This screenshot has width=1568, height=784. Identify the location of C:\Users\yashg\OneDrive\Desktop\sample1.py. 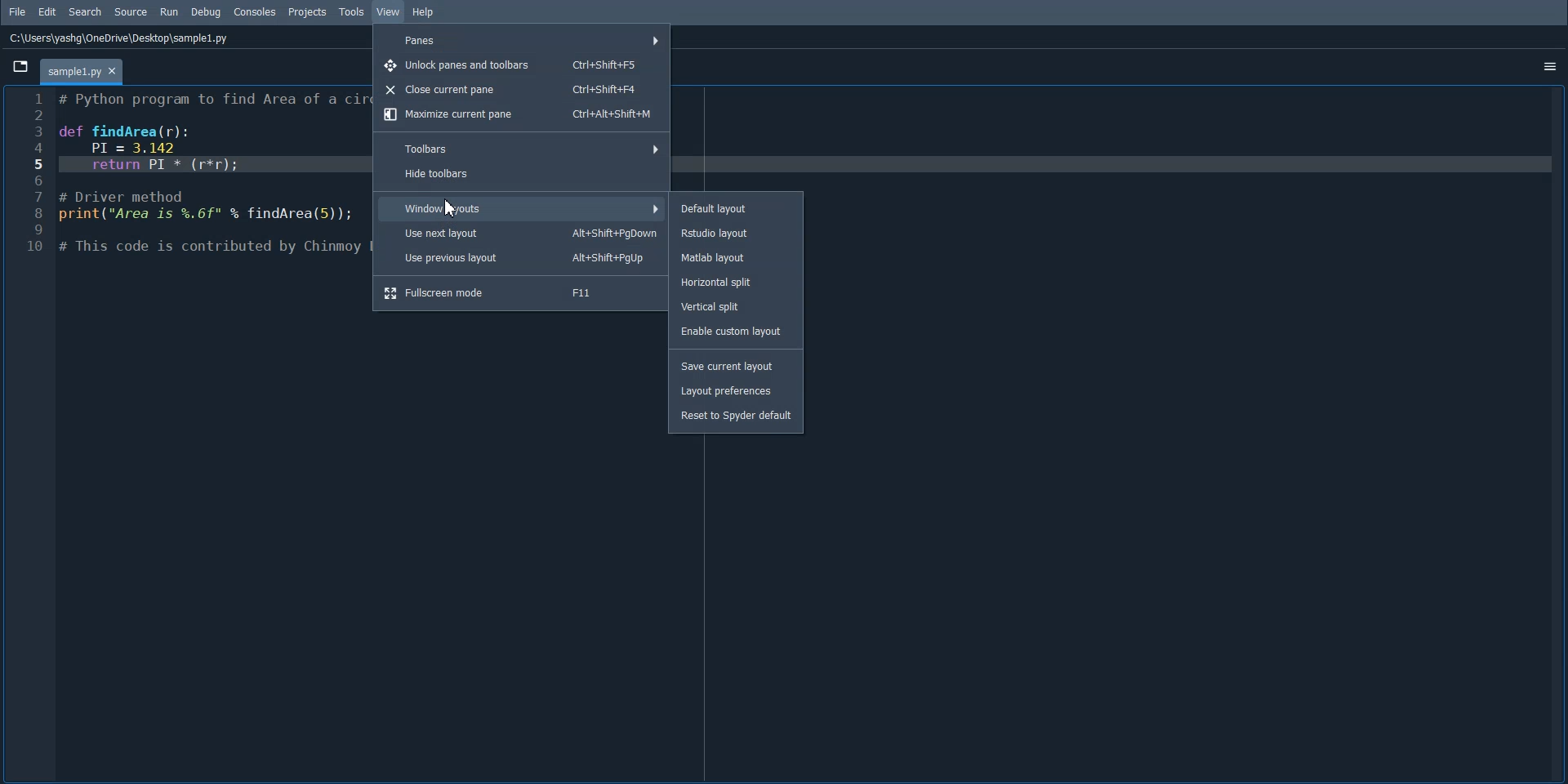
(127, 37).